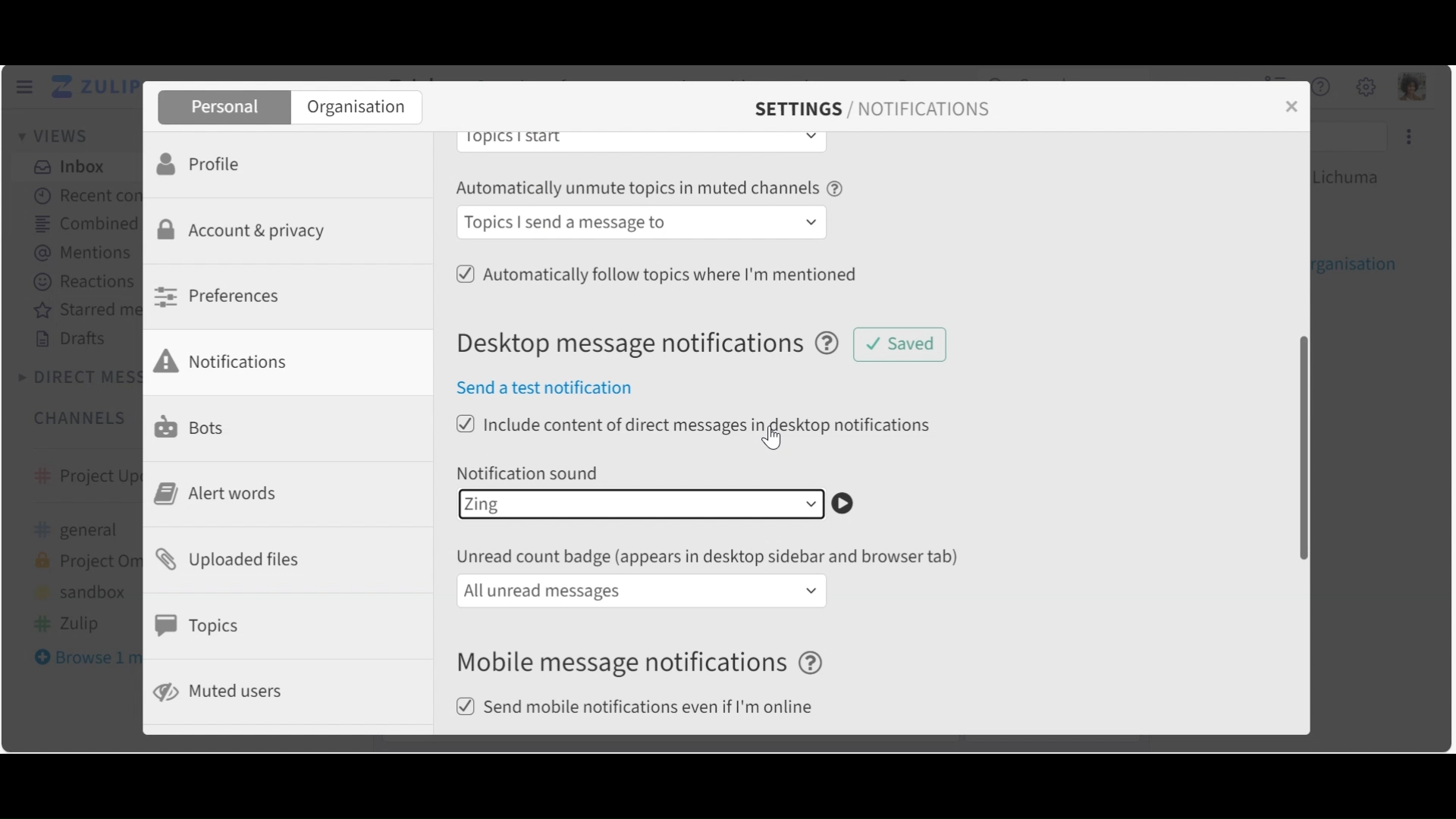 This screenshot has width=1456, height=819. What do you see at coordinates (641, 708) in the screenshot?
I see `Send mobile notifications even if I'm online` at bounding box center [641, 708].